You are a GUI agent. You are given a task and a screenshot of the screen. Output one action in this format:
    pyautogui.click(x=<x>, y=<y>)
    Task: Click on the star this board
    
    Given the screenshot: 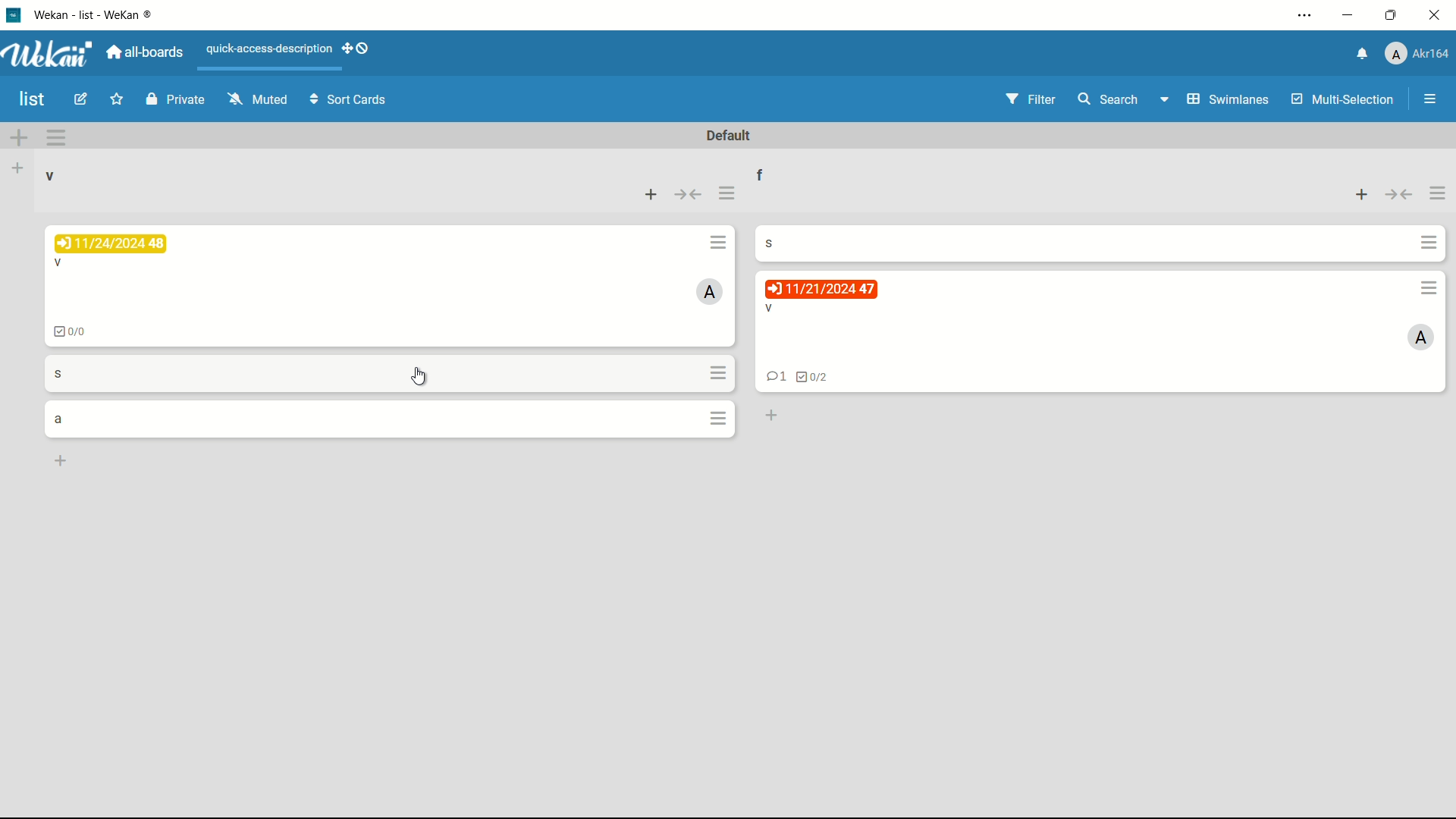 What is the action you would take?
    pyautogui.click(x=116, y=101)
    